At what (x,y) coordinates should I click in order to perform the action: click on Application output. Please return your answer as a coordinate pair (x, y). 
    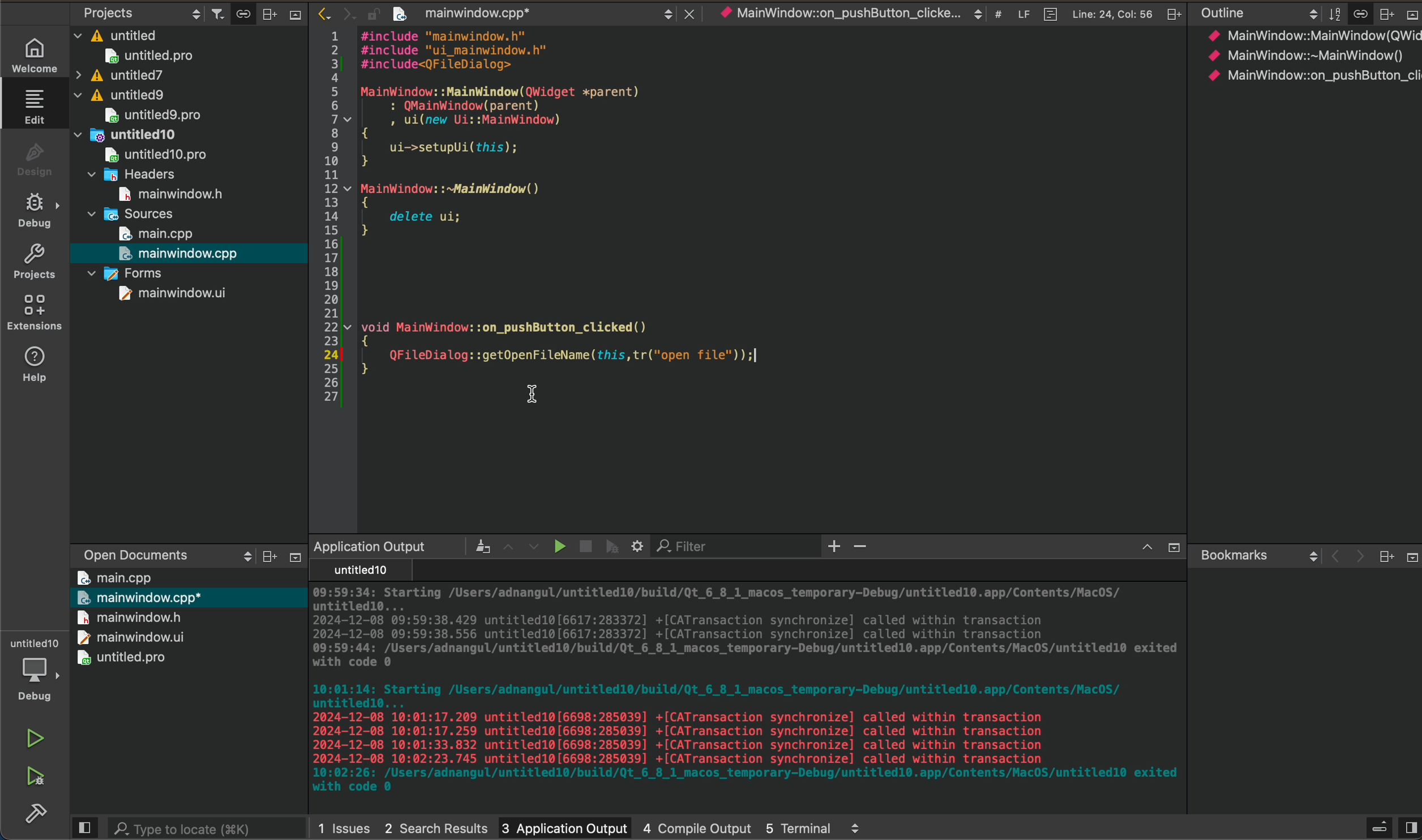
    Looking at the image, I should click on (369, 546).